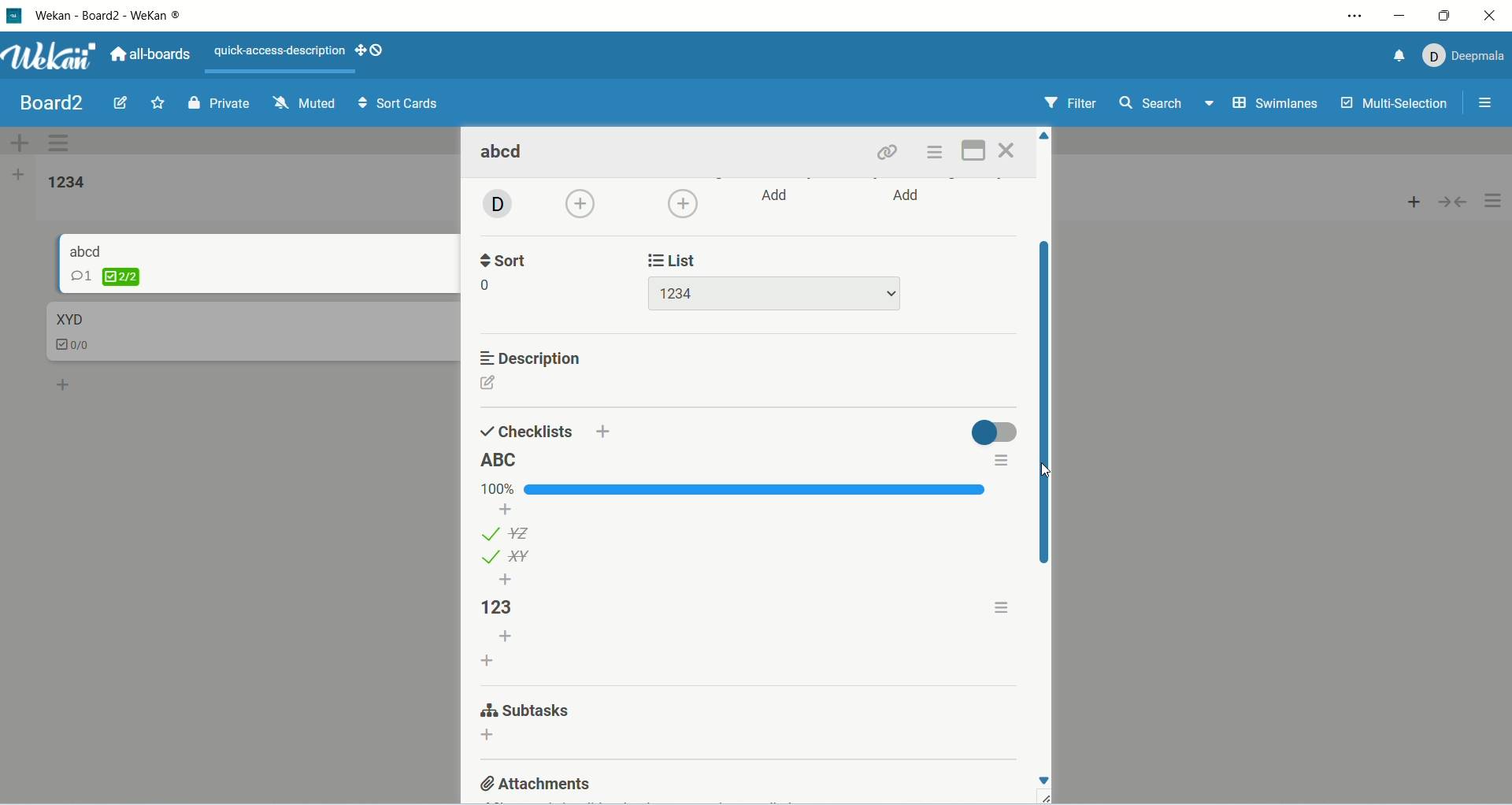 This screenshot has width=1512, height=805. Describe the element at coordinates (537, 782) in the screenshot. I see `attachments` at that location.